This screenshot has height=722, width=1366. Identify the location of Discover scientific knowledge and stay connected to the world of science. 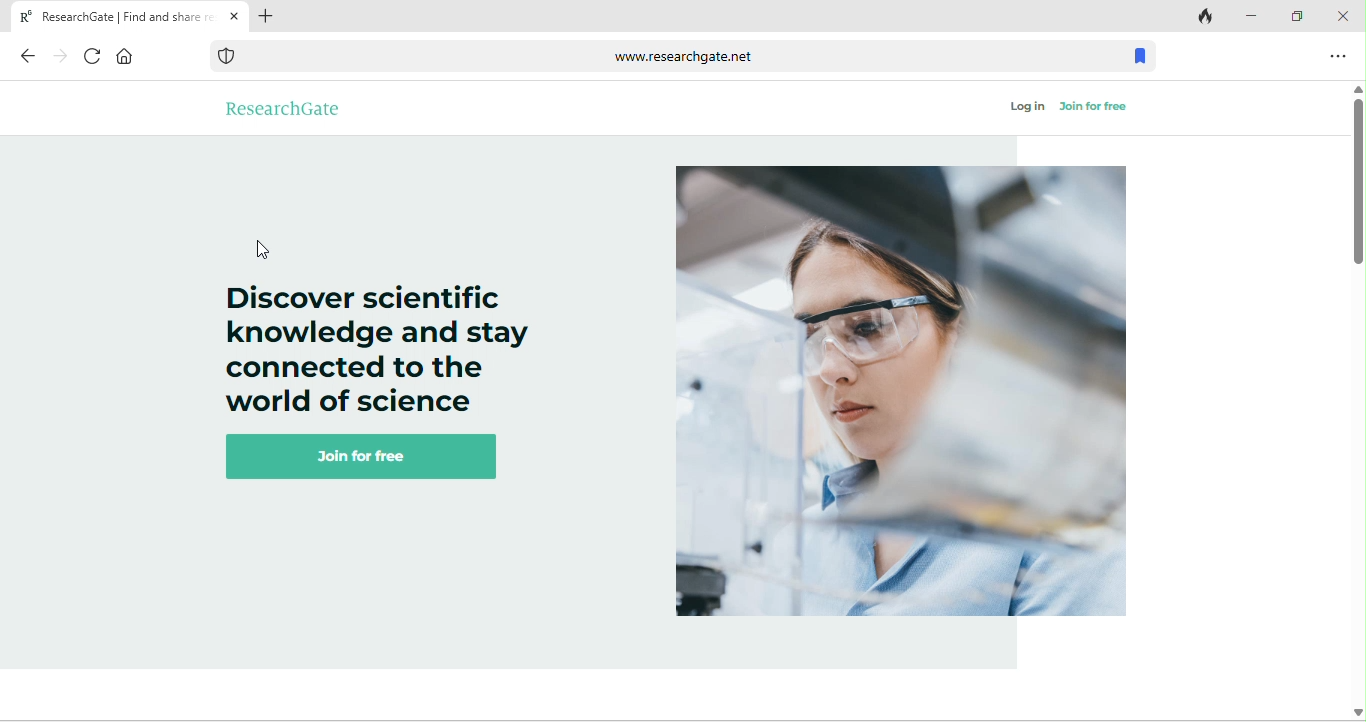
(389, 354).